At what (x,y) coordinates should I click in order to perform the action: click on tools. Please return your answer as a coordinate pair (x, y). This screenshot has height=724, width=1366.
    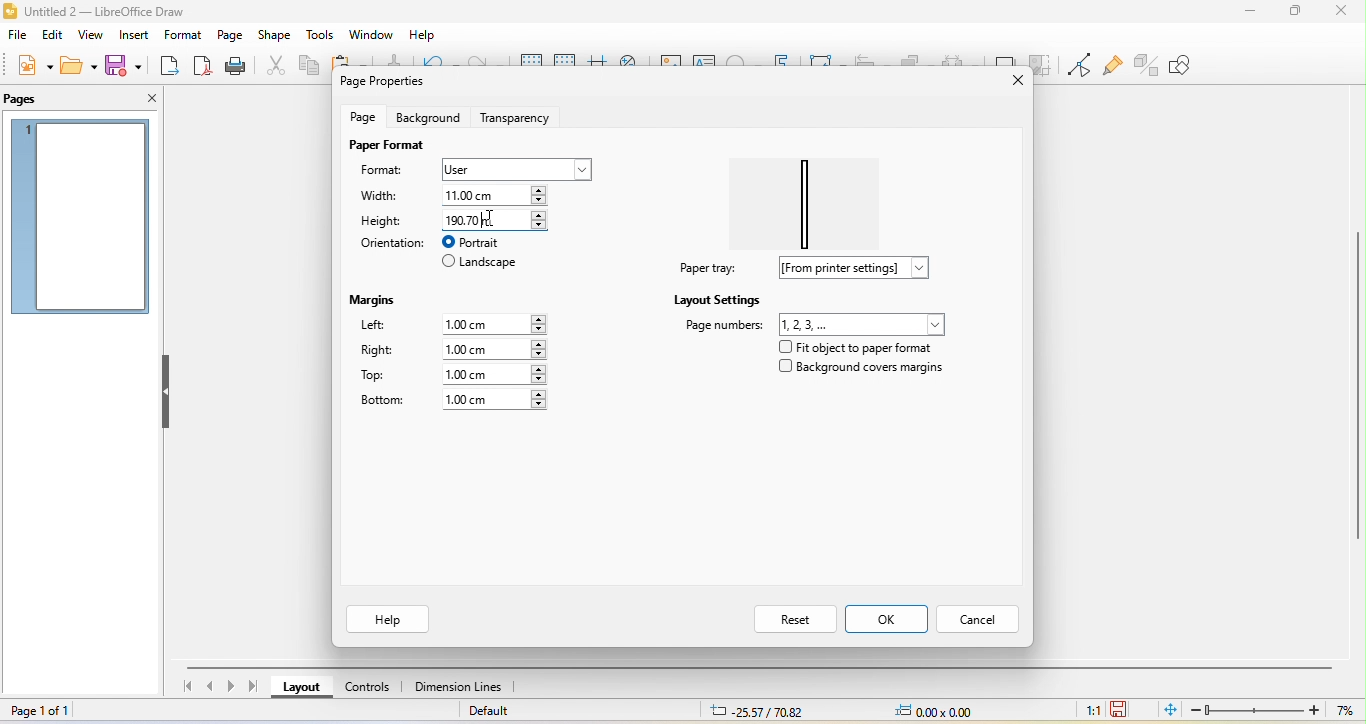
    Looking at the image, I should click on (321, 36).